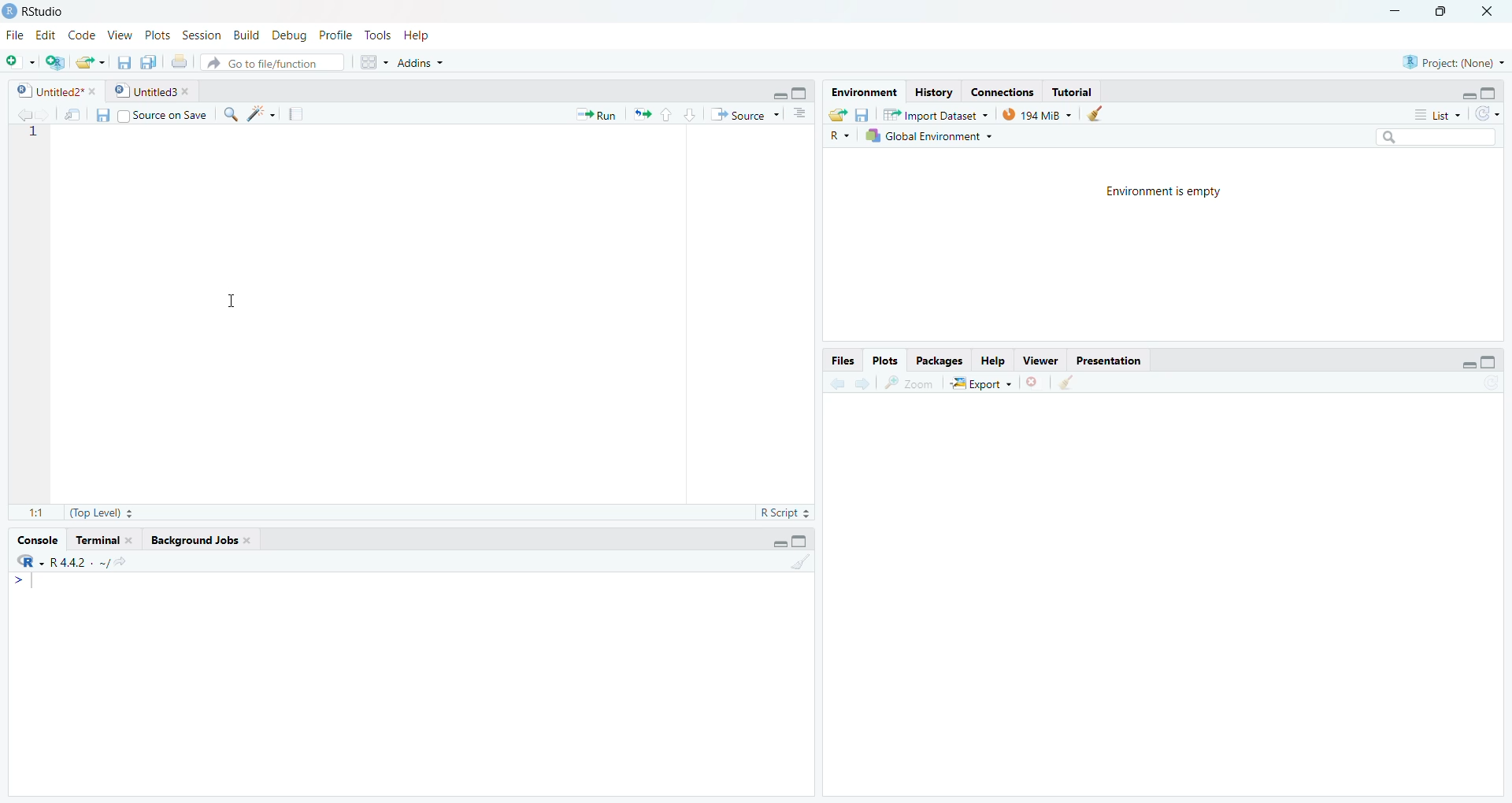 The image size is (1512, 803). I want to click on close, so click(1035, 384).